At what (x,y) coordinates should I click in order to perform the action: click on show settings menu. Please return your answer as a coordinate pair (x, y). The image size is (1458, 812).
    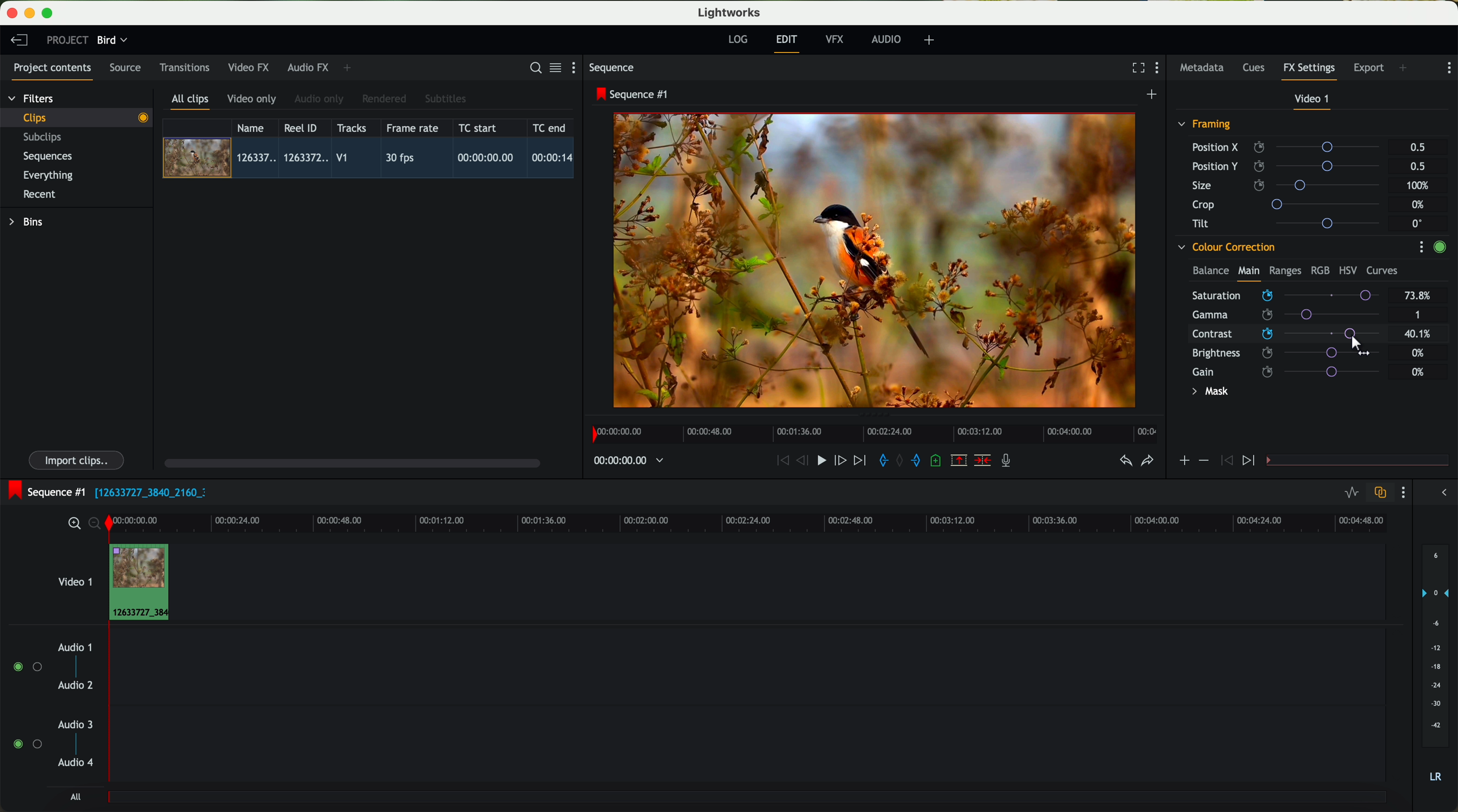
    Looking at the image, I should click on (1160, 69).